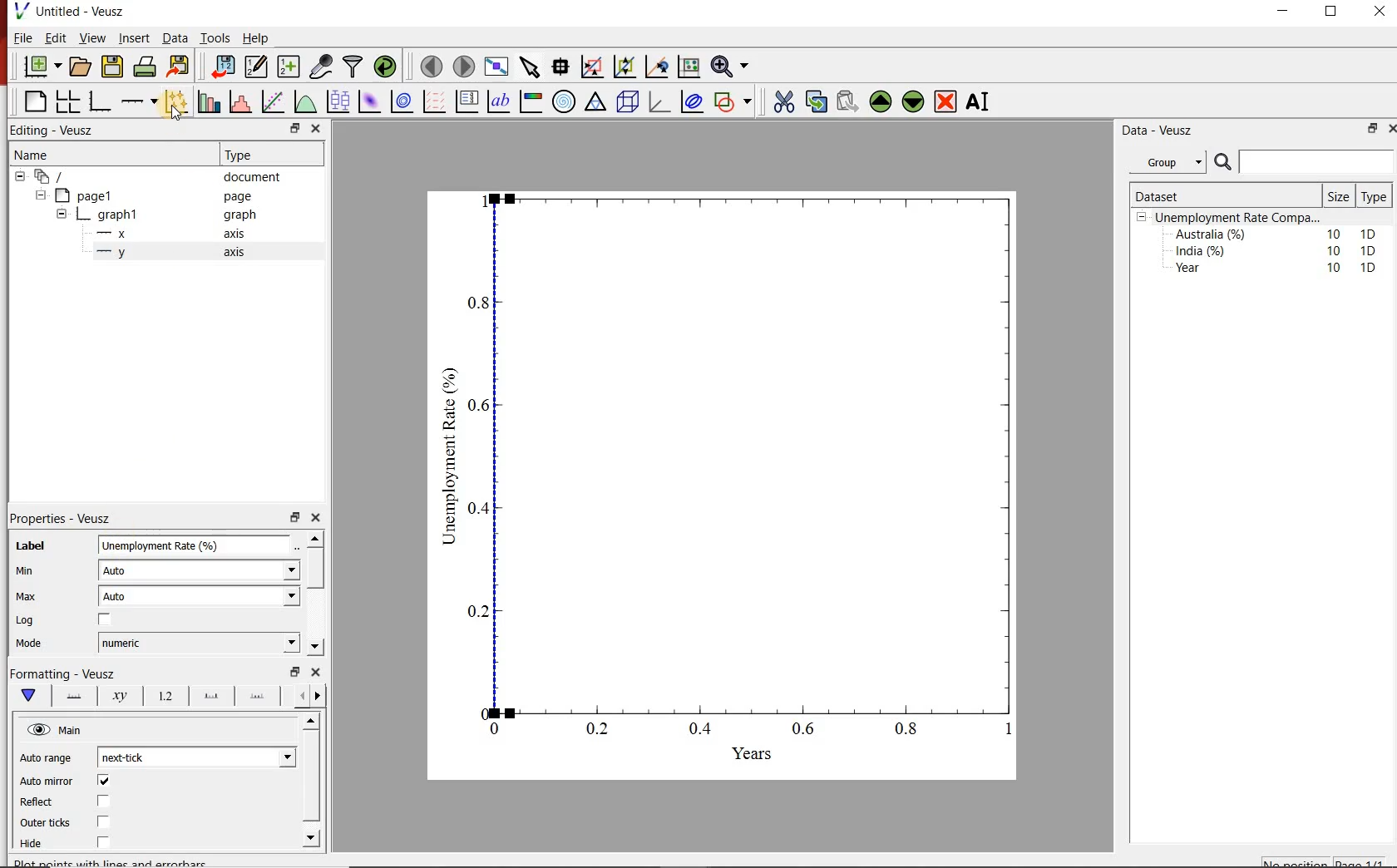 The height and width of the screenshot is (868, 1397). What do you see at coordinates (313, 721) in the screenshot?
I see `move up` at bounding box center [313, 721].